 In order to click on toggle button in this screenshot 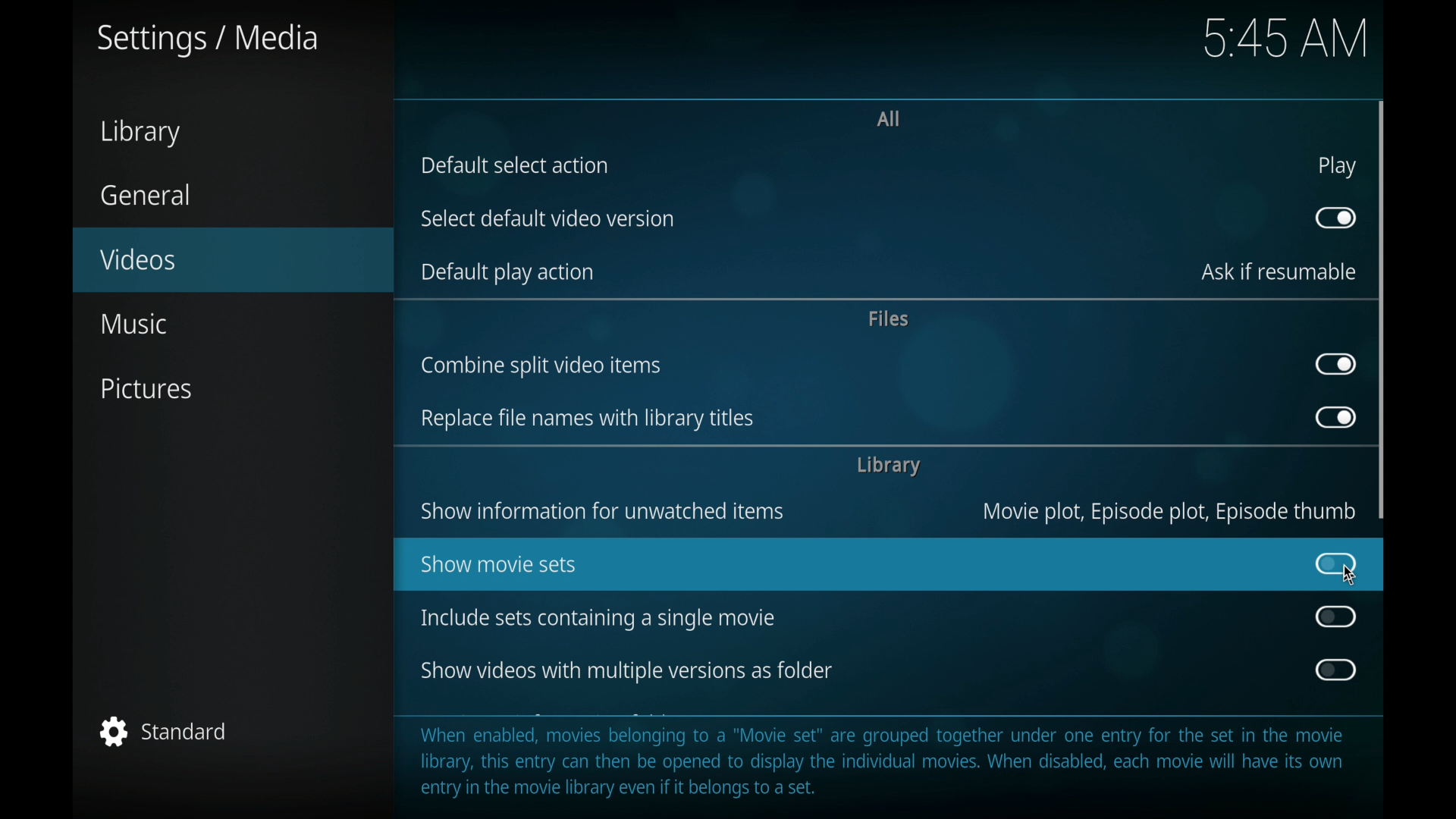, I will do `click(1334, 670)`.